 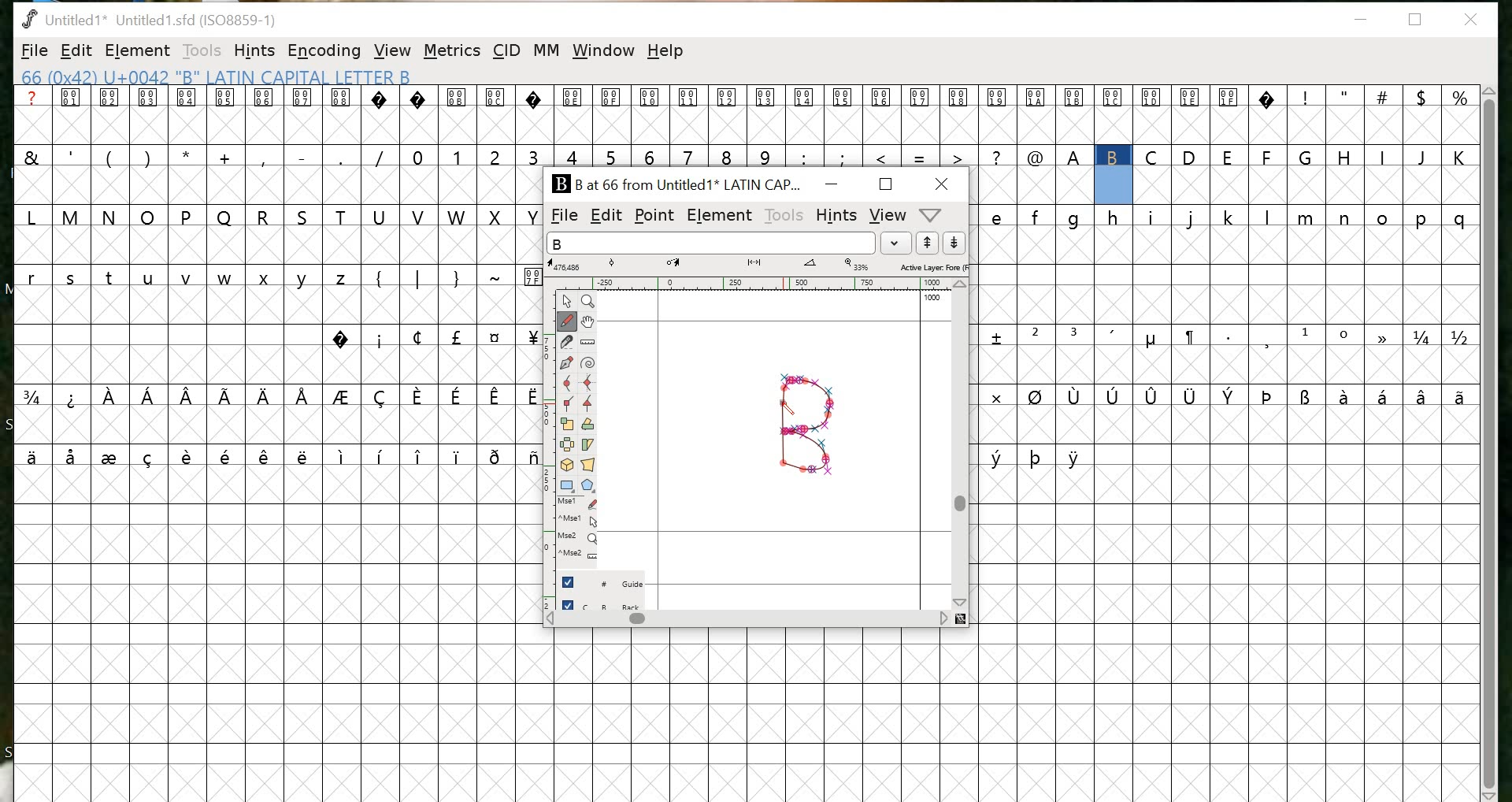 I want to click on Curve, so click(x=569, y=384).